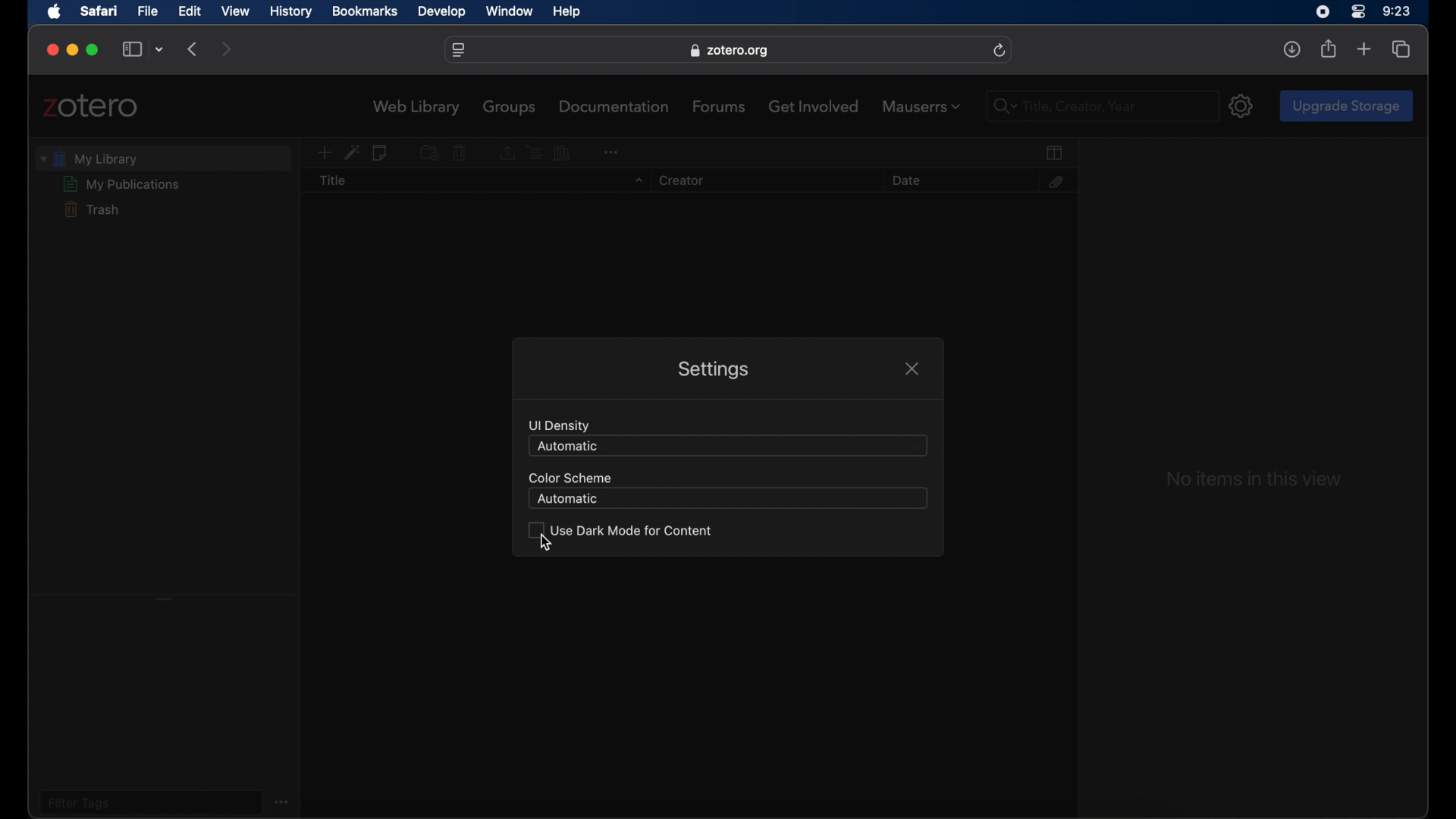 The width and height of the screenshot is (1456, 819). I want to click on my publications, so click(122, 184).